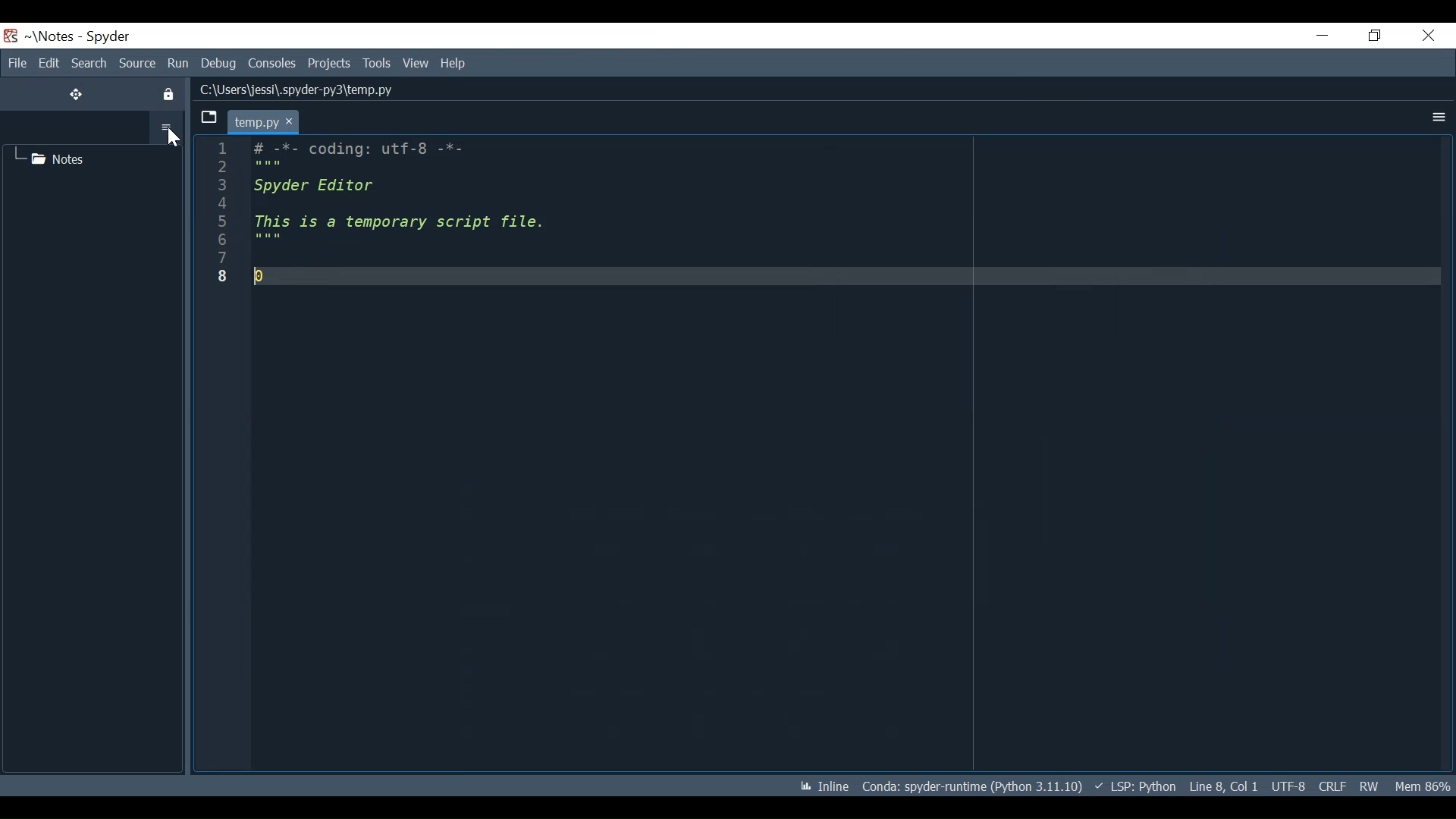  Describe the element at coordinates (312, 88) in the screenshot. I see `C:\Users\jessi\.spyder-pys\temp.py` at that location.